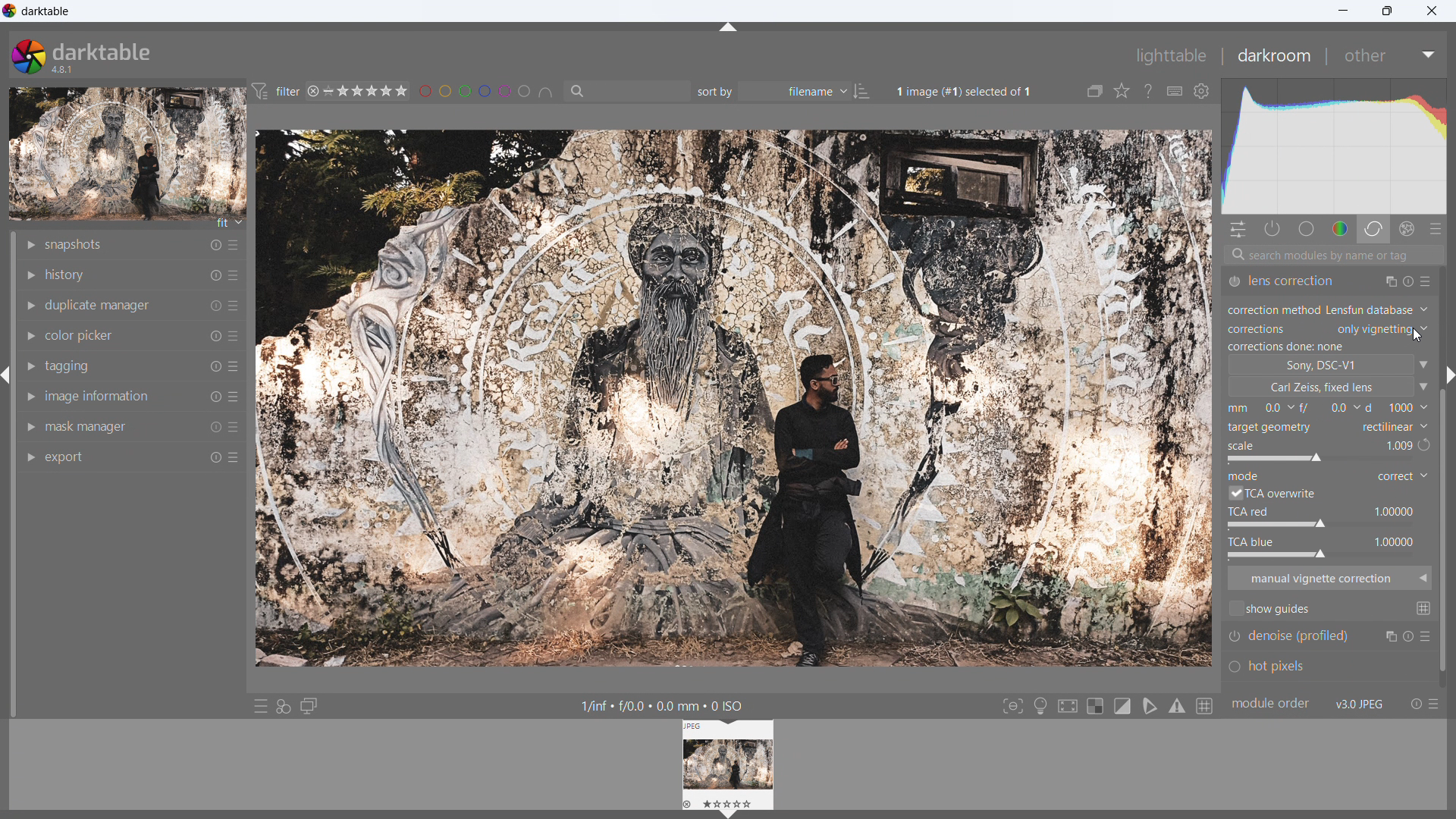  What do you see at coordinates (1178, 707) in the screenshot?
I see `toggle gamut checking` at bounding box center [1178, 707].